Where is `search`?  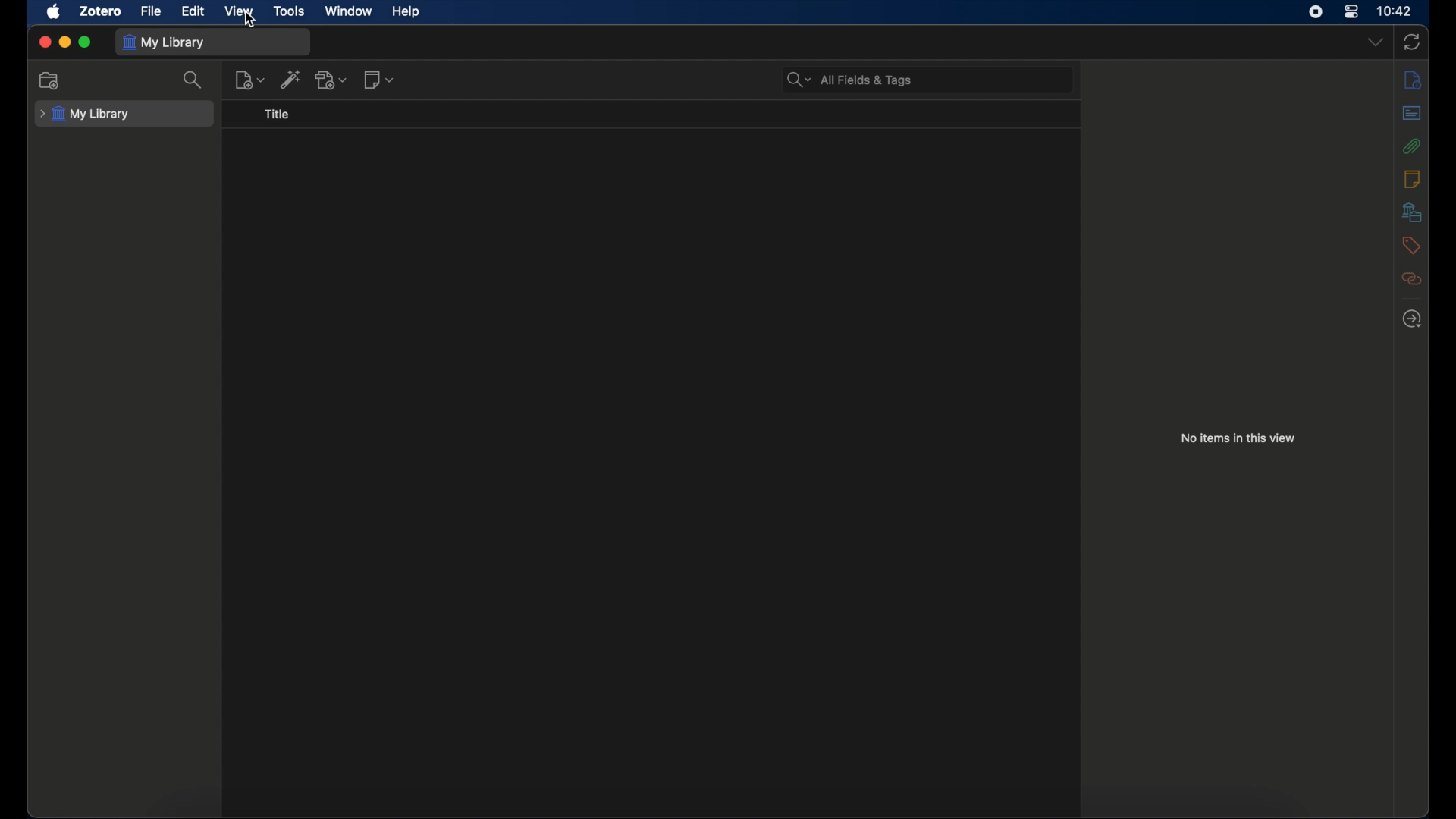 search is located at coordinates (194, 80).